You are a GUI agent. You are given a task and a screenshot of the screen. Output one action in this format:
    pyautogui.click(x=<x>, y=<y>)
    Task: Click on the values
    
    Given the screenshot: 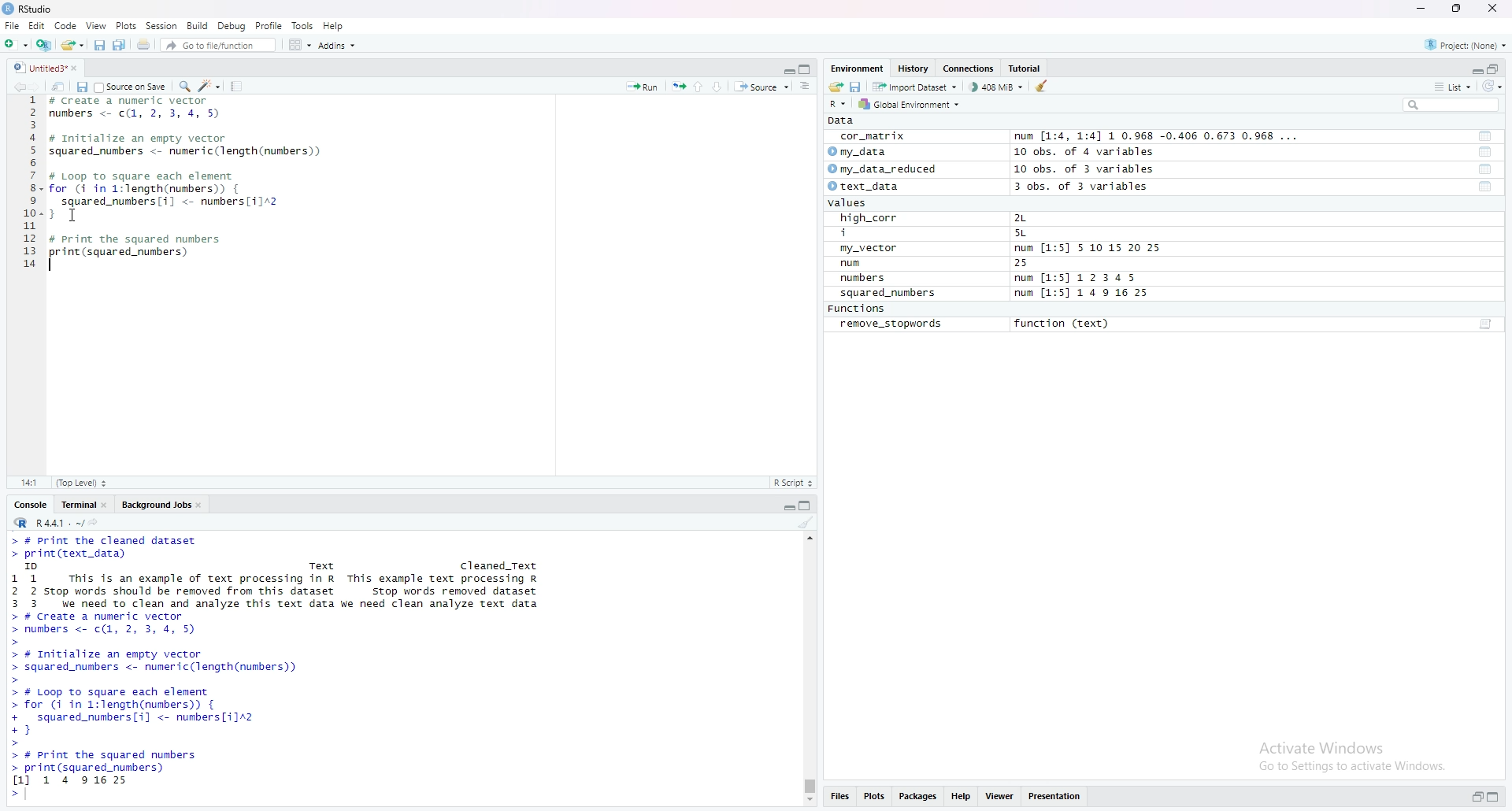 What is the action you would take?
    pyautogui.click(x=852, y=204)
    